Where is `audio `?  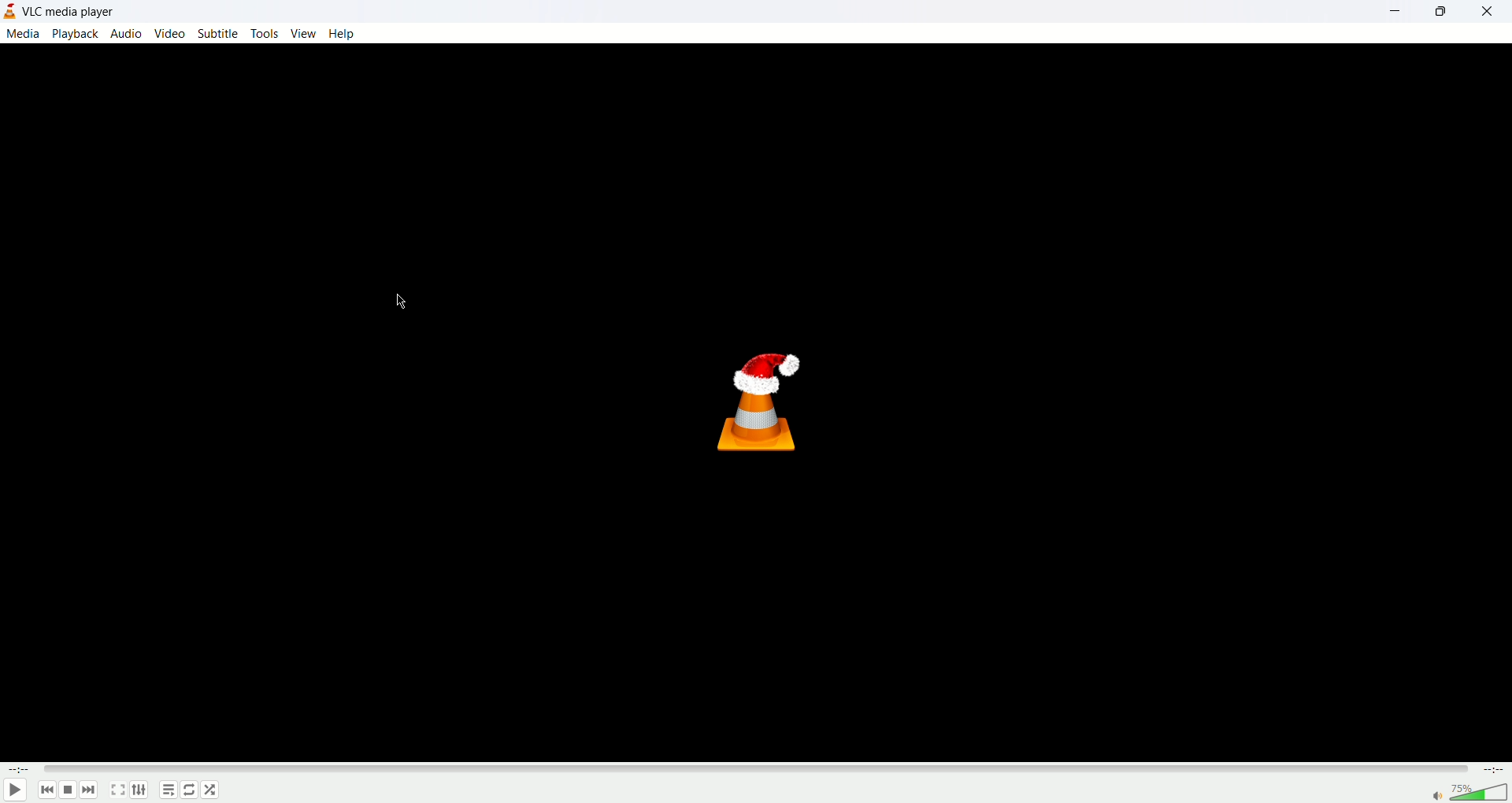 audio  is located at coordinates (129, 34).